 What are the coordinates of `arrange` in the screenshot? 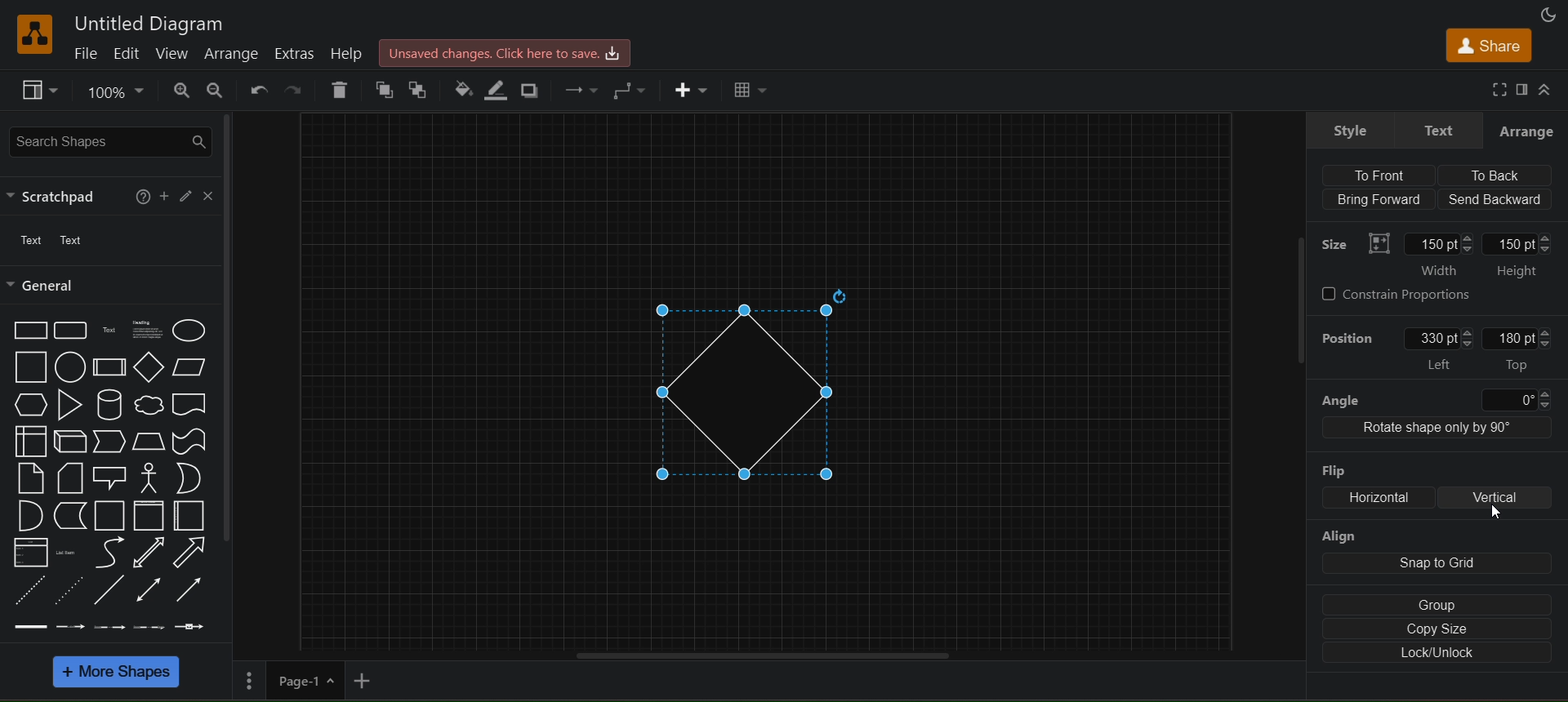 It's located at (233, 53).